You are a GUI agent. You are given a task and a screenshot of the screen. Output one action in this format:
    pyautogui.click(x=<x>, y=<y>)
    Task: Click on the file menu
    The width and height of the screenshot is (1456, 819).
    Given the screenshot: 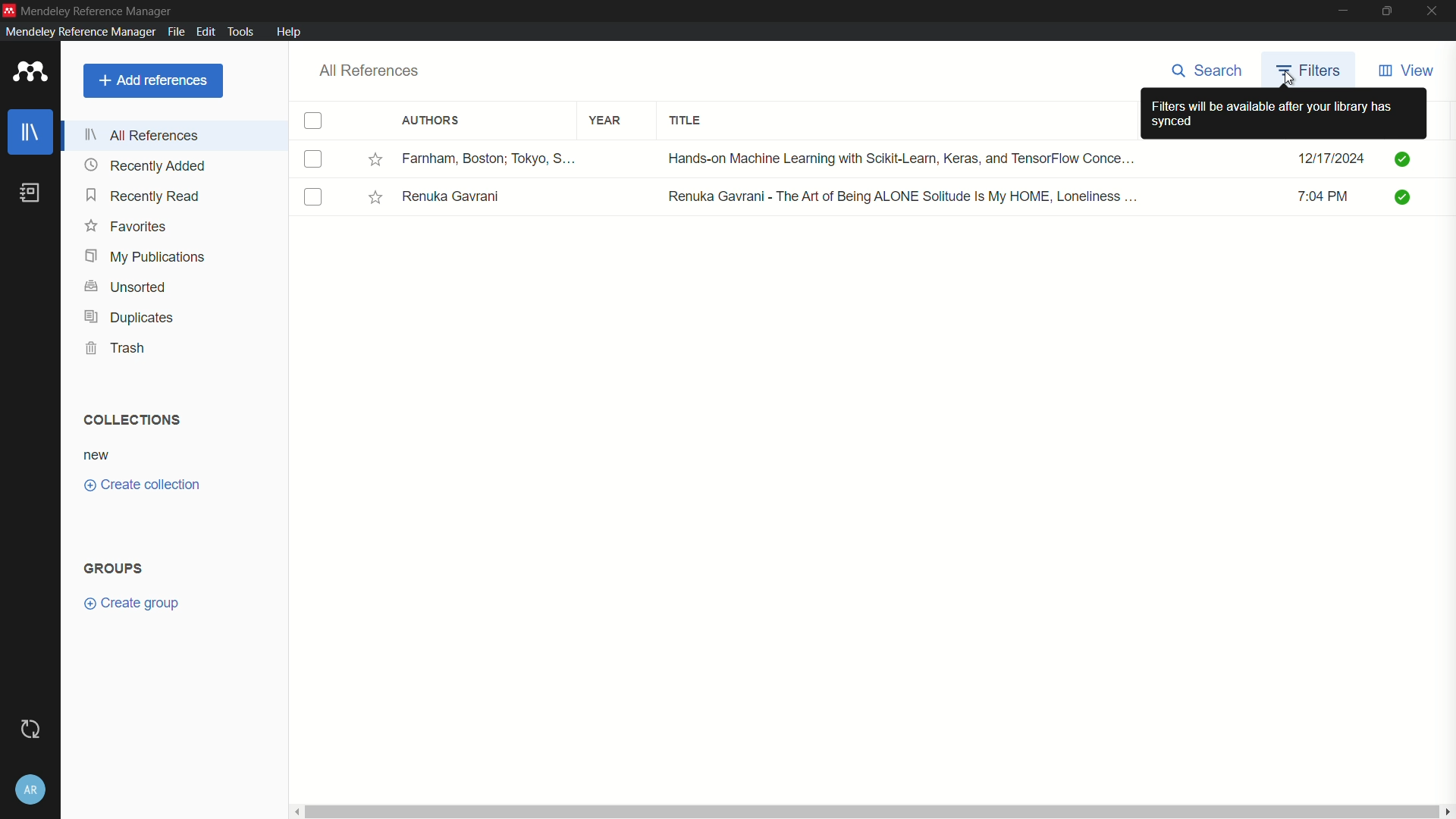 What is the action you would take?
    pyautogui.click(x=176, y=32)
    